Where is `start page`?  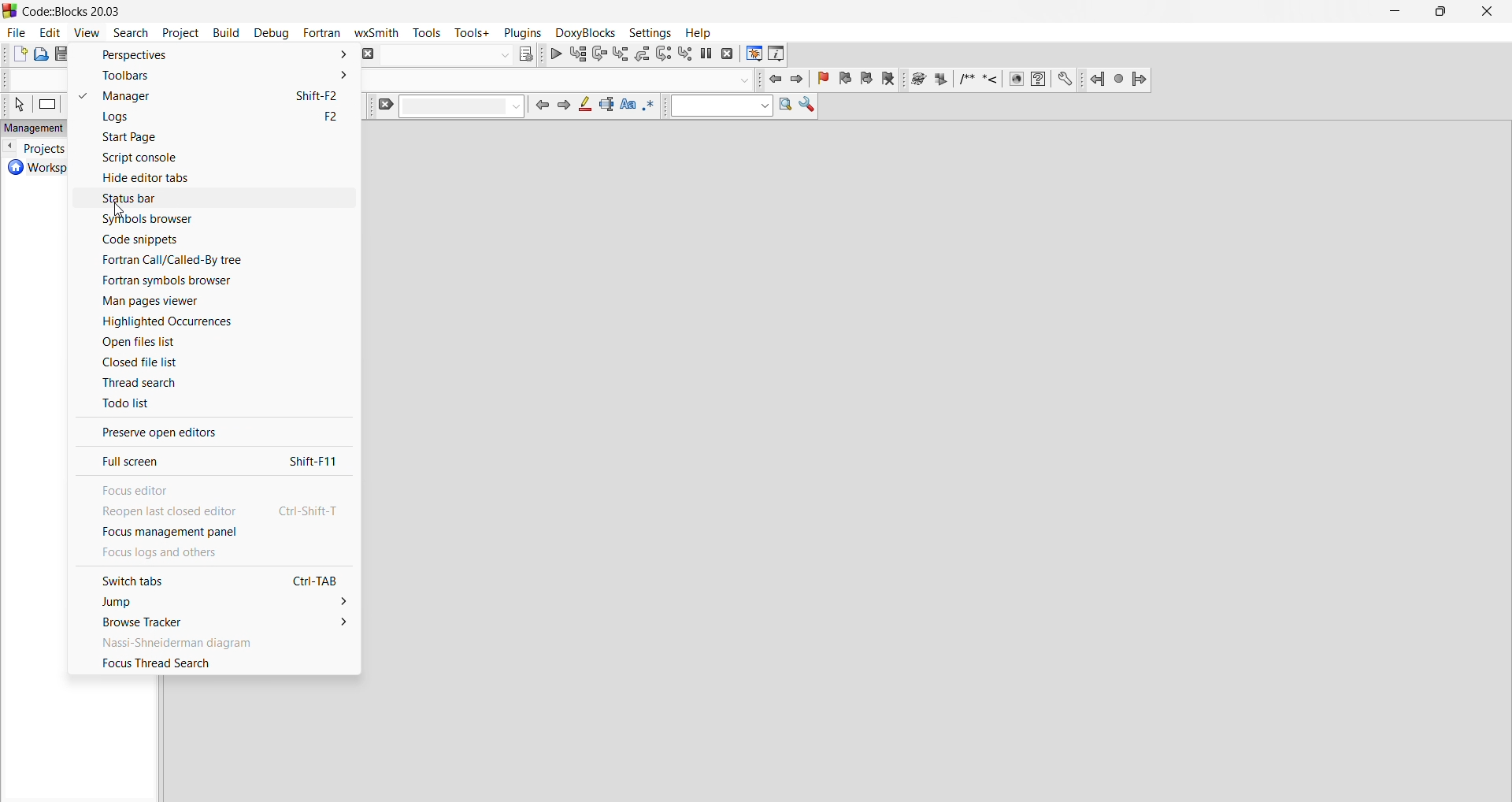 start page is located at coordinates (213, 138).